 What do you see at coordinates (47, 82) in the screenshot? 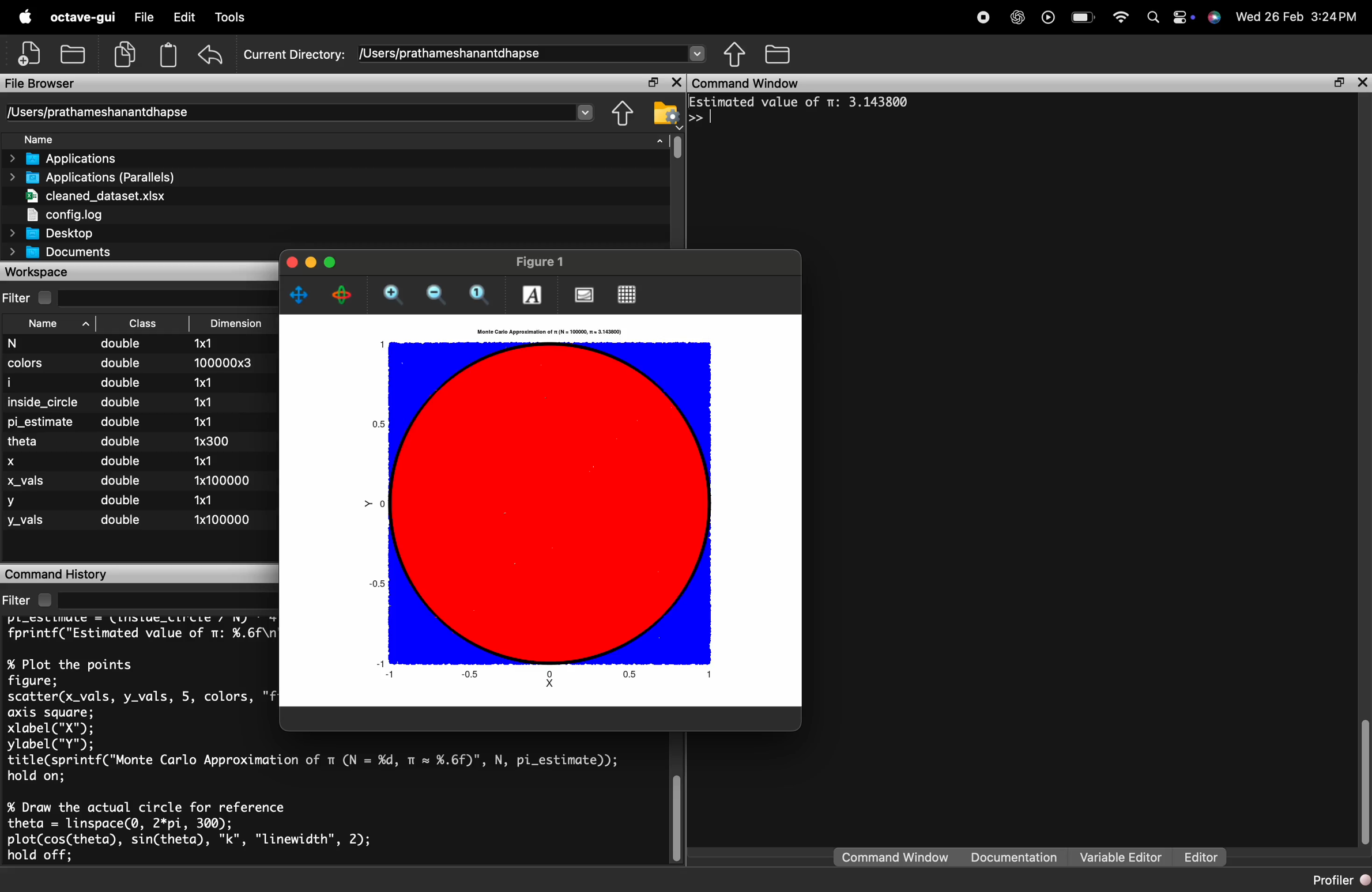
I see `File Browser` at bounding box center [47, 82].